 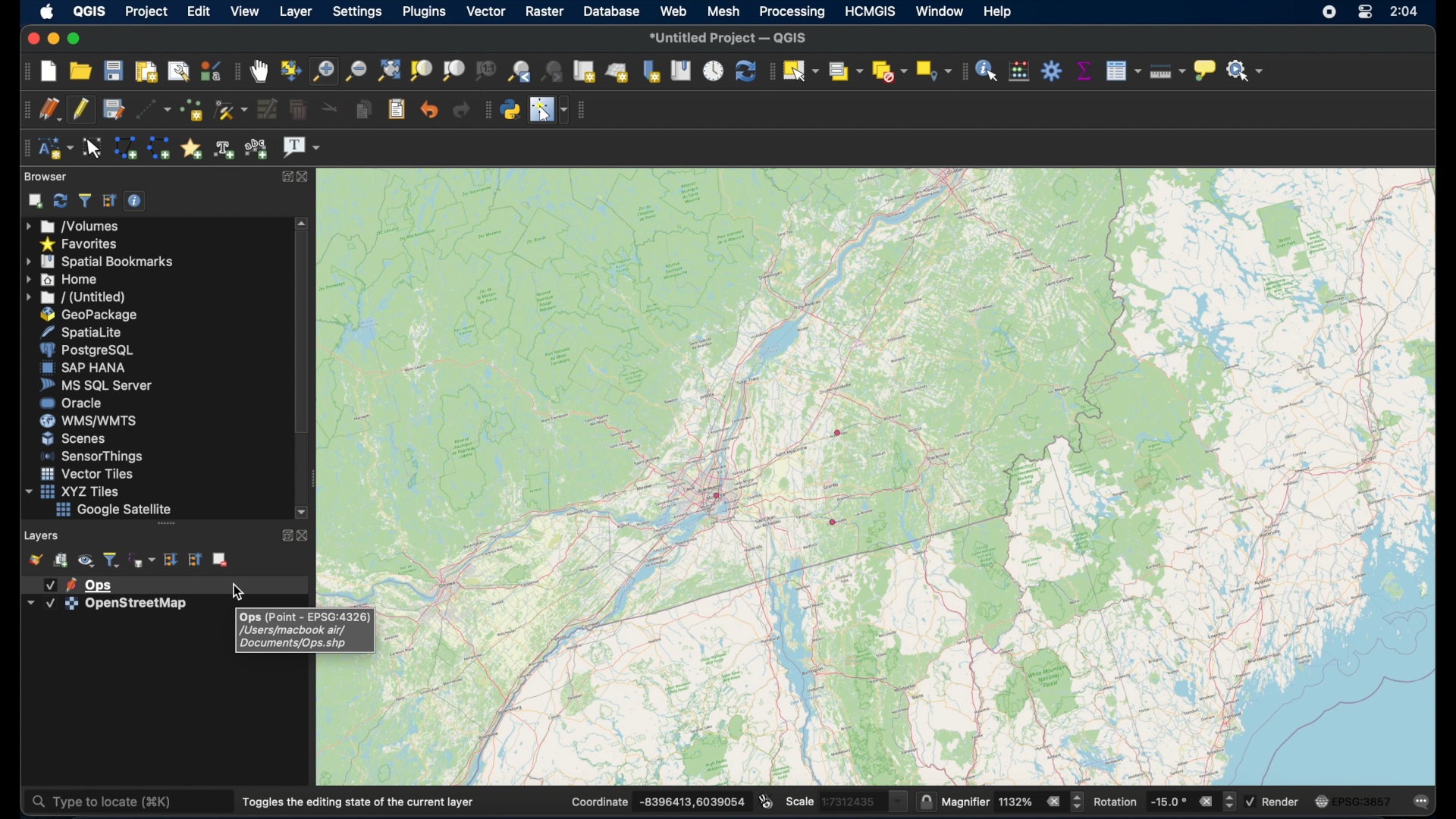 What do you see at coordinates (170, 559) in the screenshot?
I see `expand all` at bounding box center [170, 559].